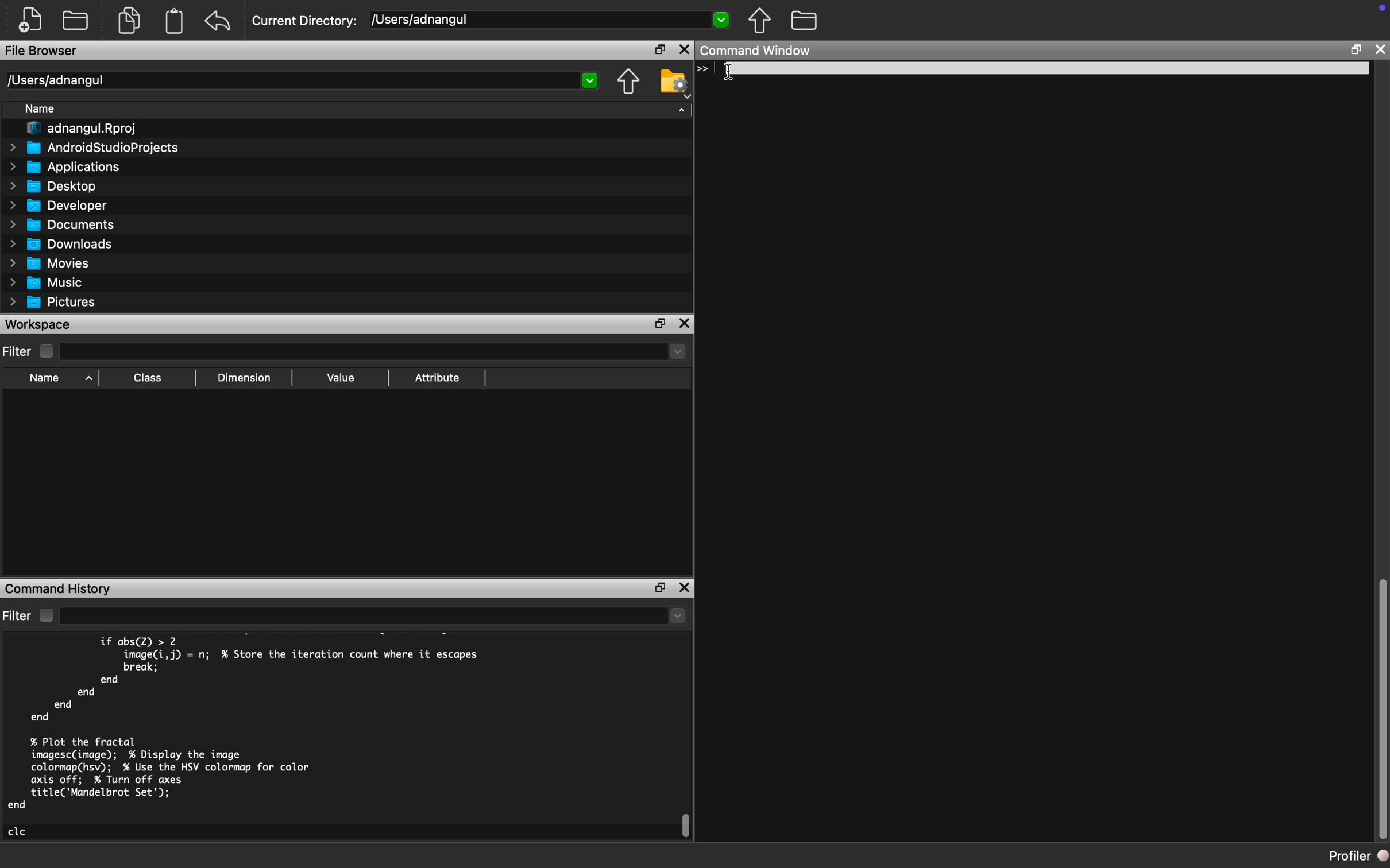 Image resolution: width=1390 pixels, height=868 pixels. What do you see at coordinates (341, 378) in the screenshot?
I see `Value` at bounding box center [341, 378].